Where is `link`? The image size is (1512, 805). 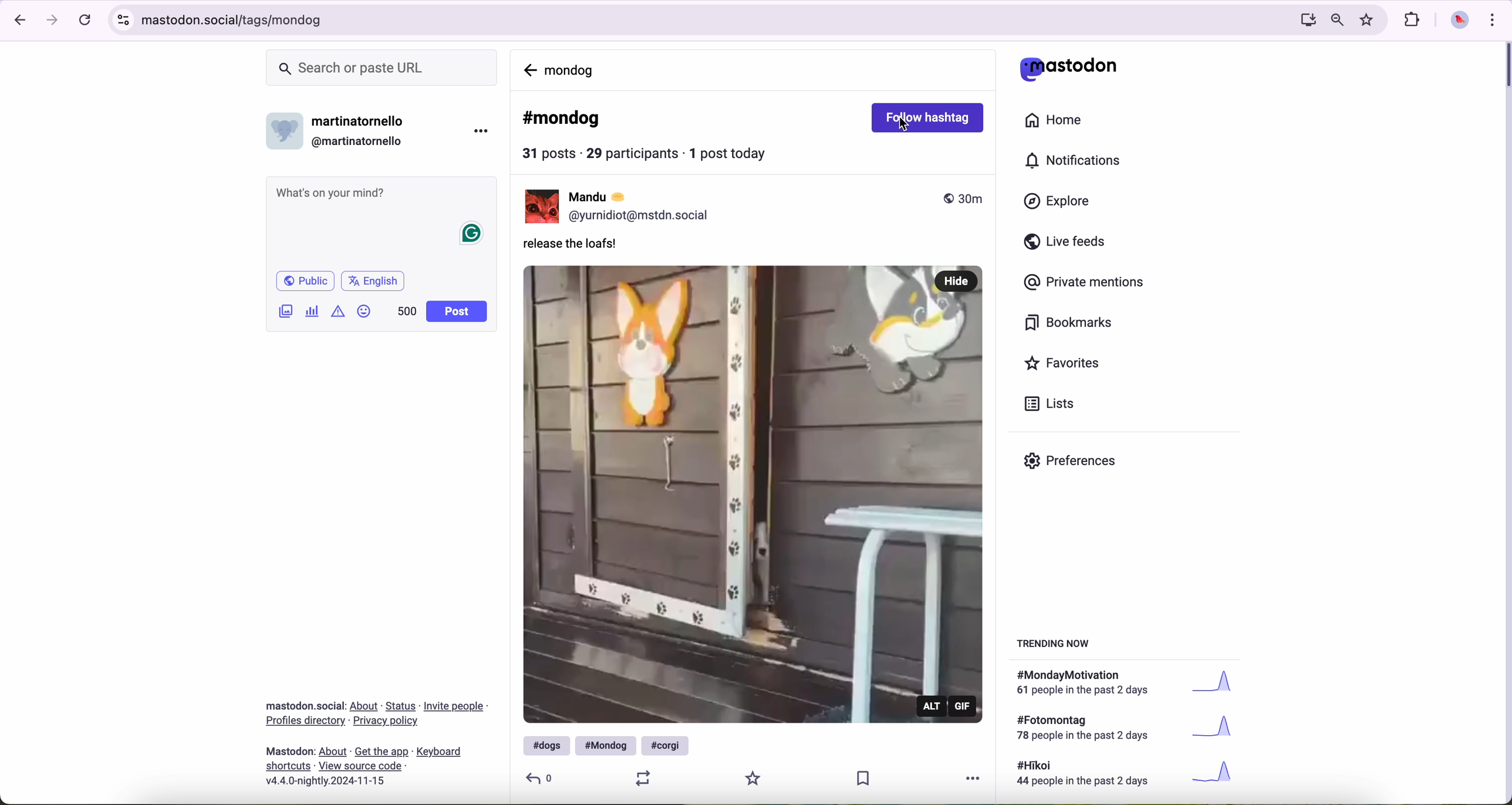
link is located at coordinates (439, 753).